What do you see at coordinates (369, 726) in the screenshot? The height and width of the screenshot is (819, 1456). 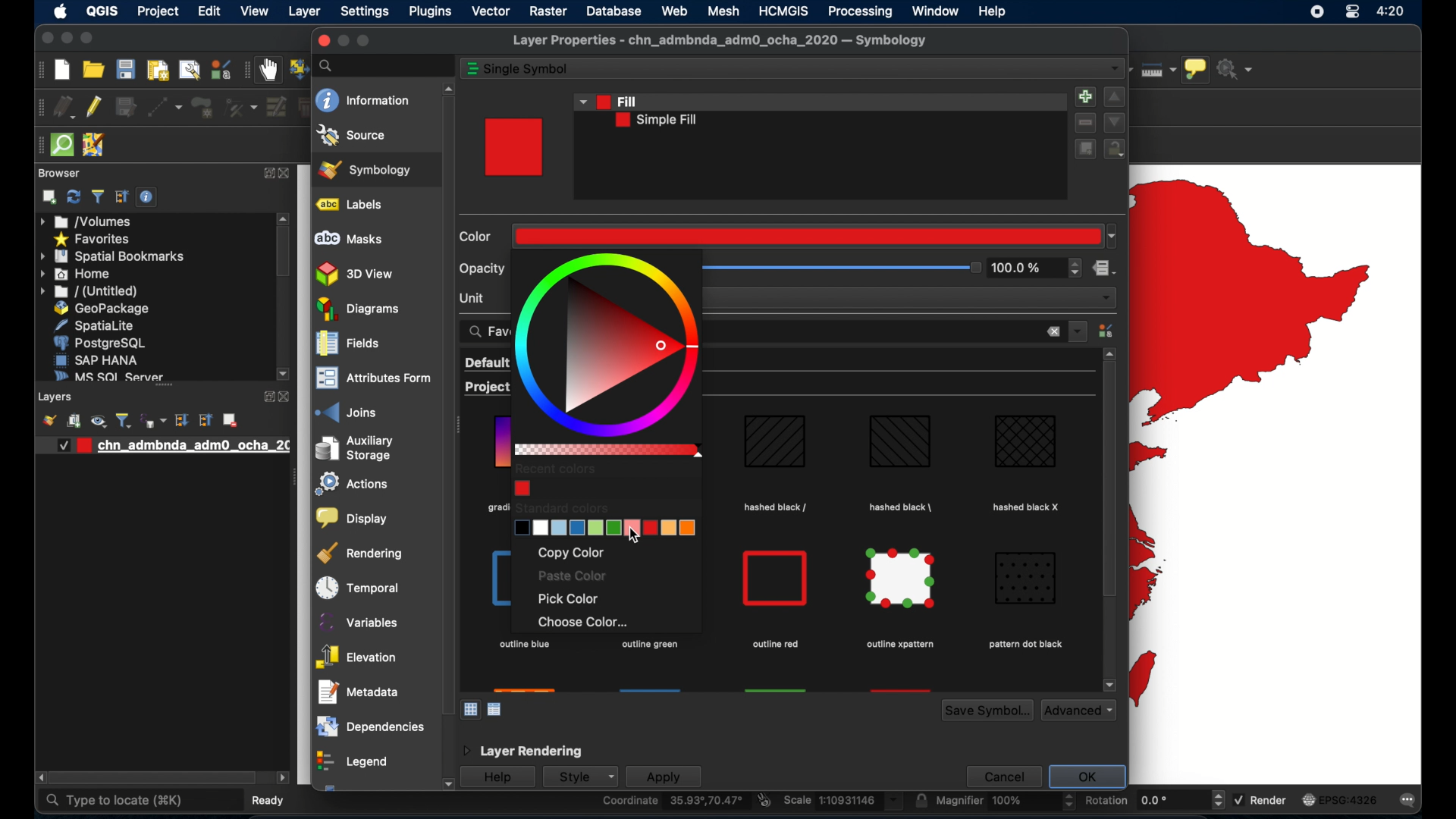 I see `dependencies` at bounding box center [369, 726].